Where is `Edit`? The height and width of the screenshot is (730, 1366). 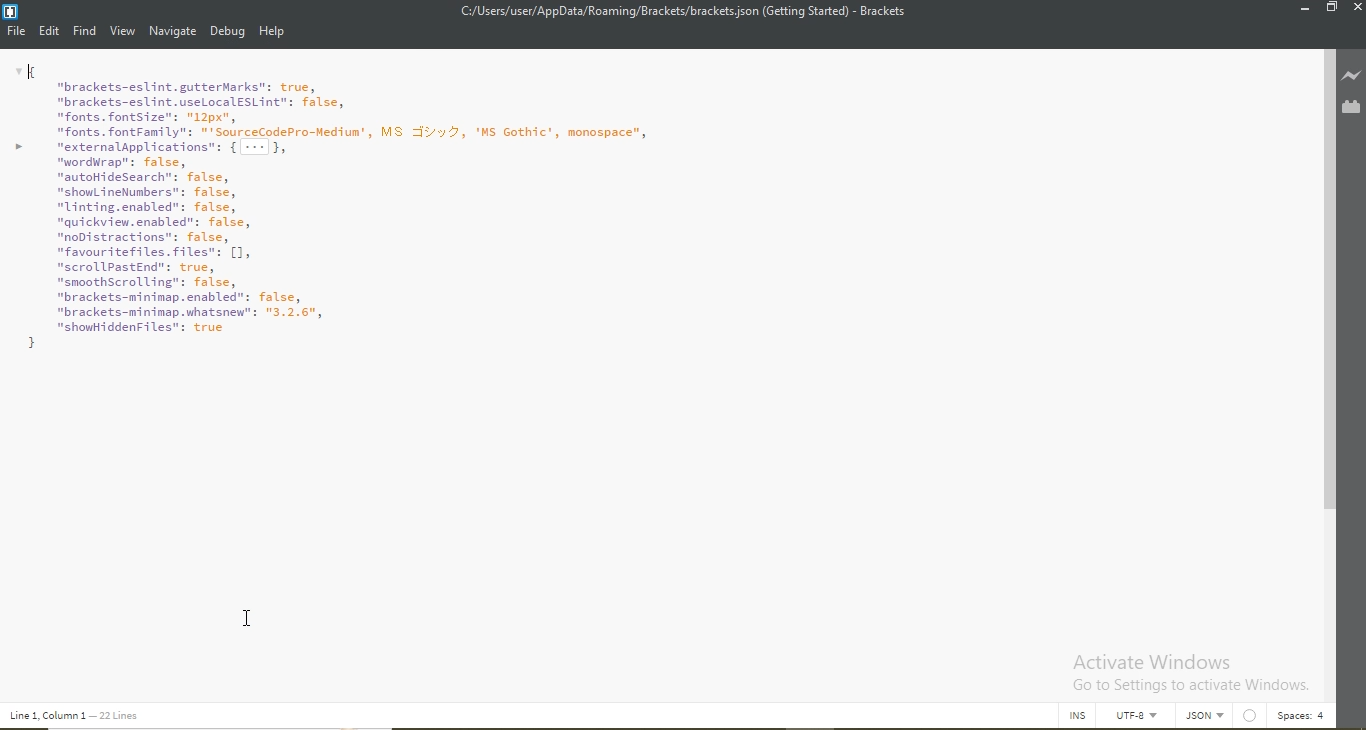
Edit is located at coordinates (51, 30).